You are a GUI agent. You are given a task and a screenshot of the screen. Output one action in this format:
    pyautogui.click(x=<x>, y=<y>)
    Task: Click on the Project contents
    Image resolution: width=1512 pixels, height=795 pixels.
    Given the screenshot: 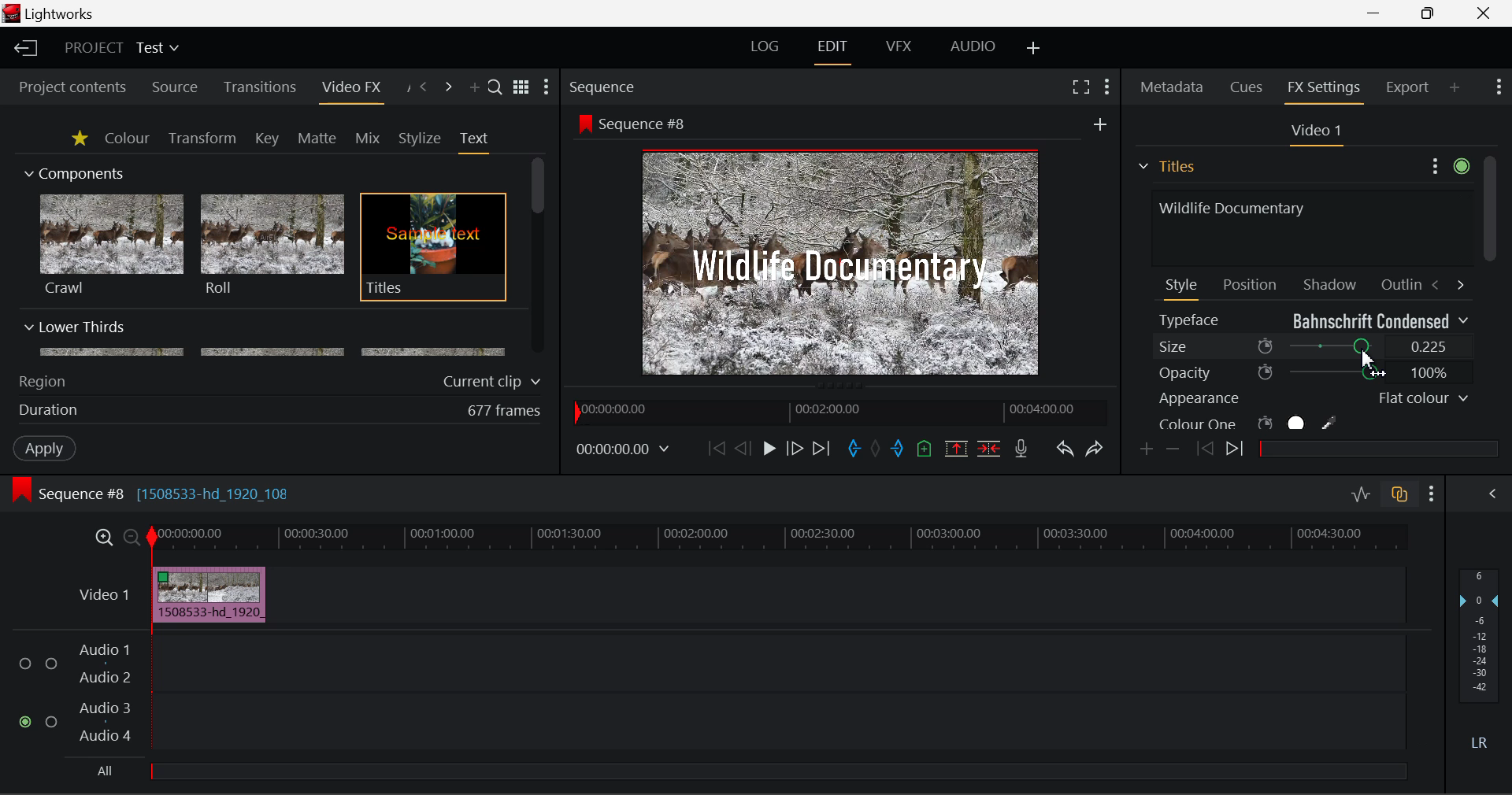 What is the action you would take?
    pyautogui.click(x=65, y=87)
    